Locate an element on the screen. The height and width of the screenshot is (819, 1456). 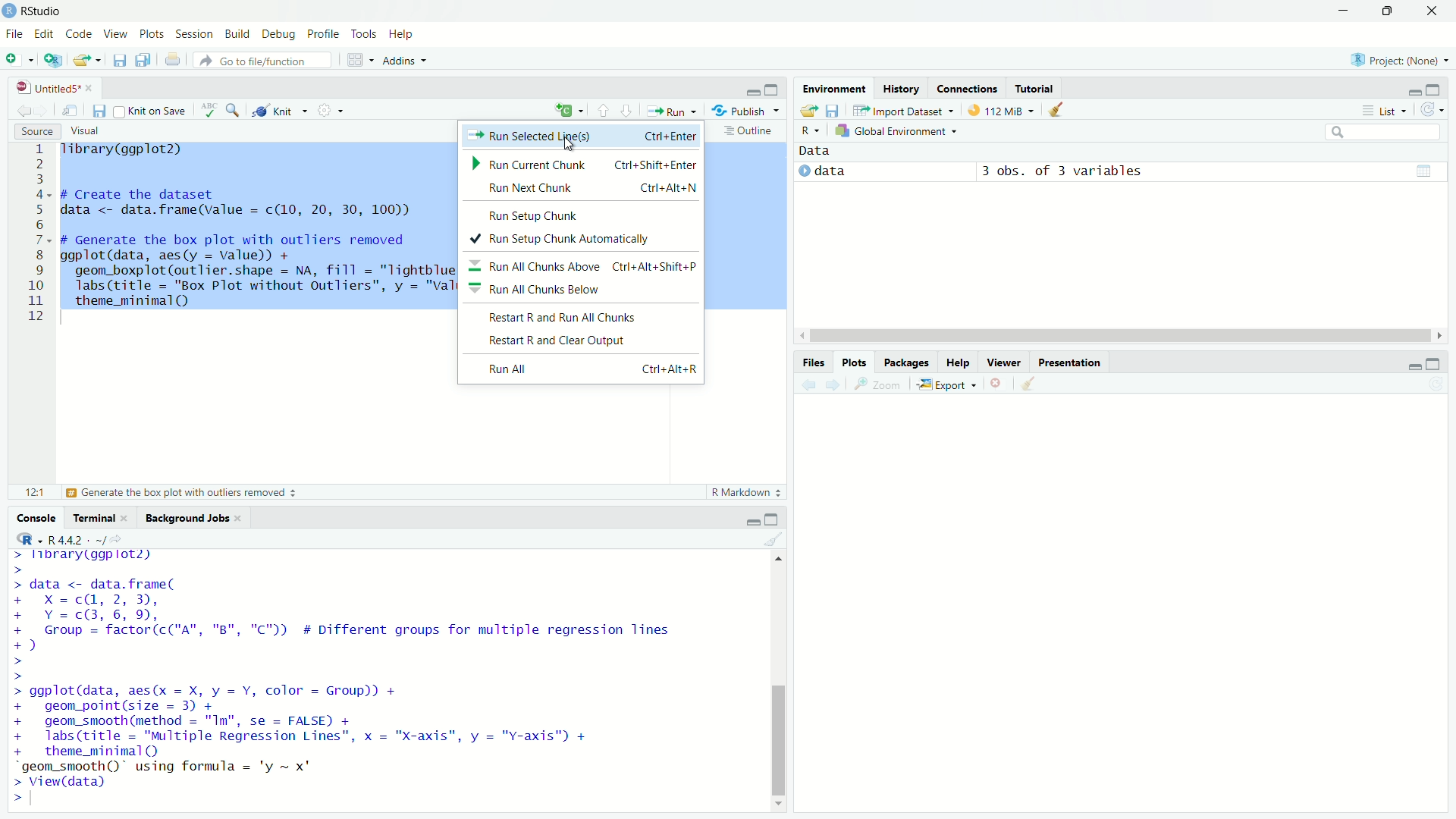
112 MiB ~ is located at coordinates (1012, 111).